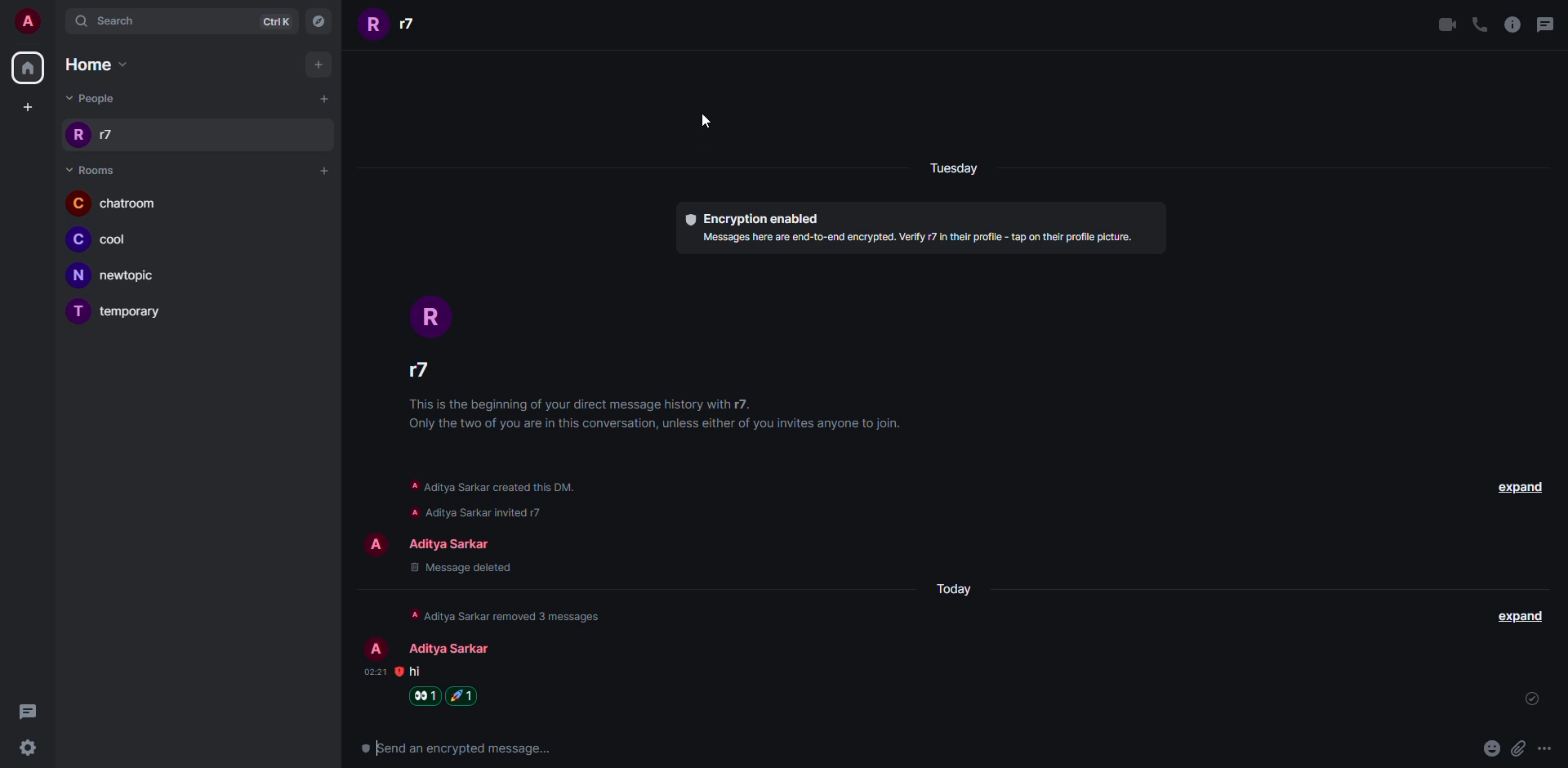  Describe the element at coordinates (1526, 699) in the screenshot. I see `sent` at that location.